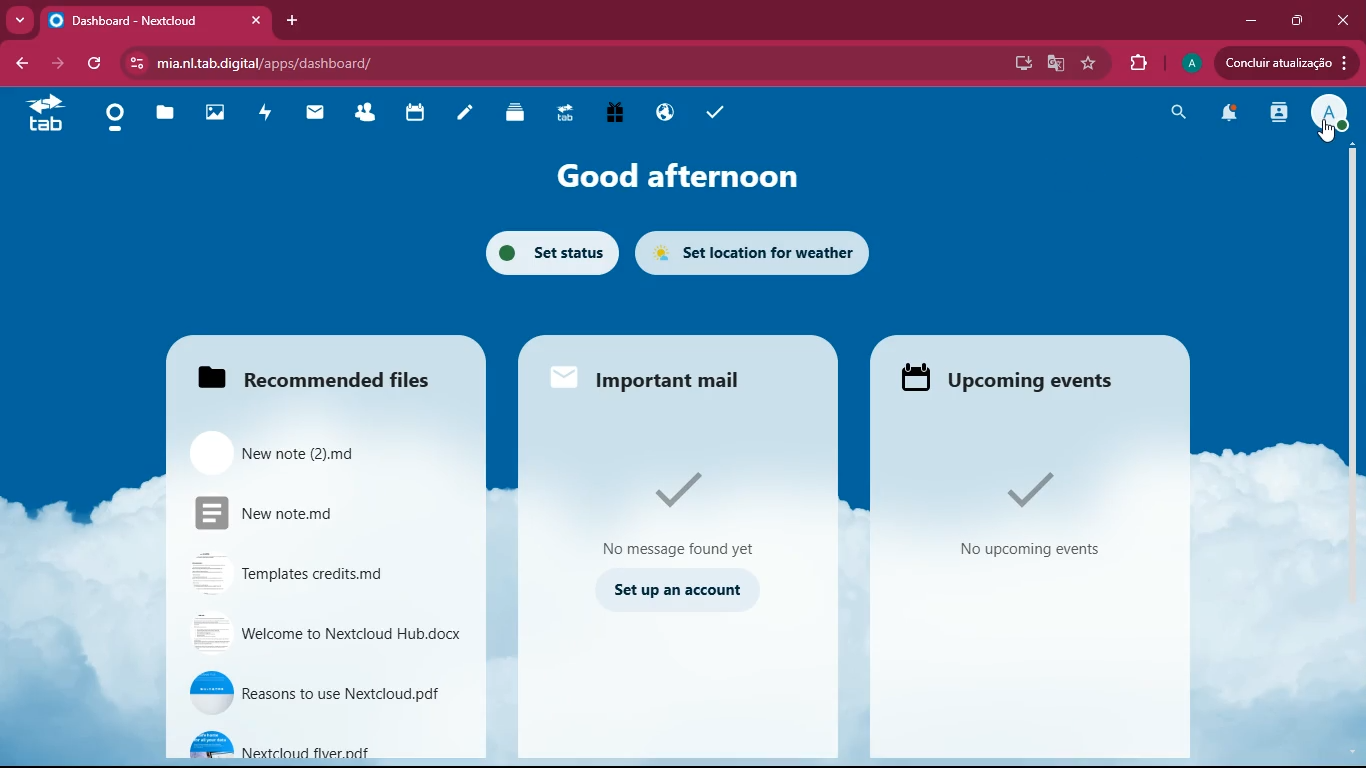 The image size is (1366, 768). Describe the element at coordinates (648, 379) in the screenshot. I see `Important mail` at that location.